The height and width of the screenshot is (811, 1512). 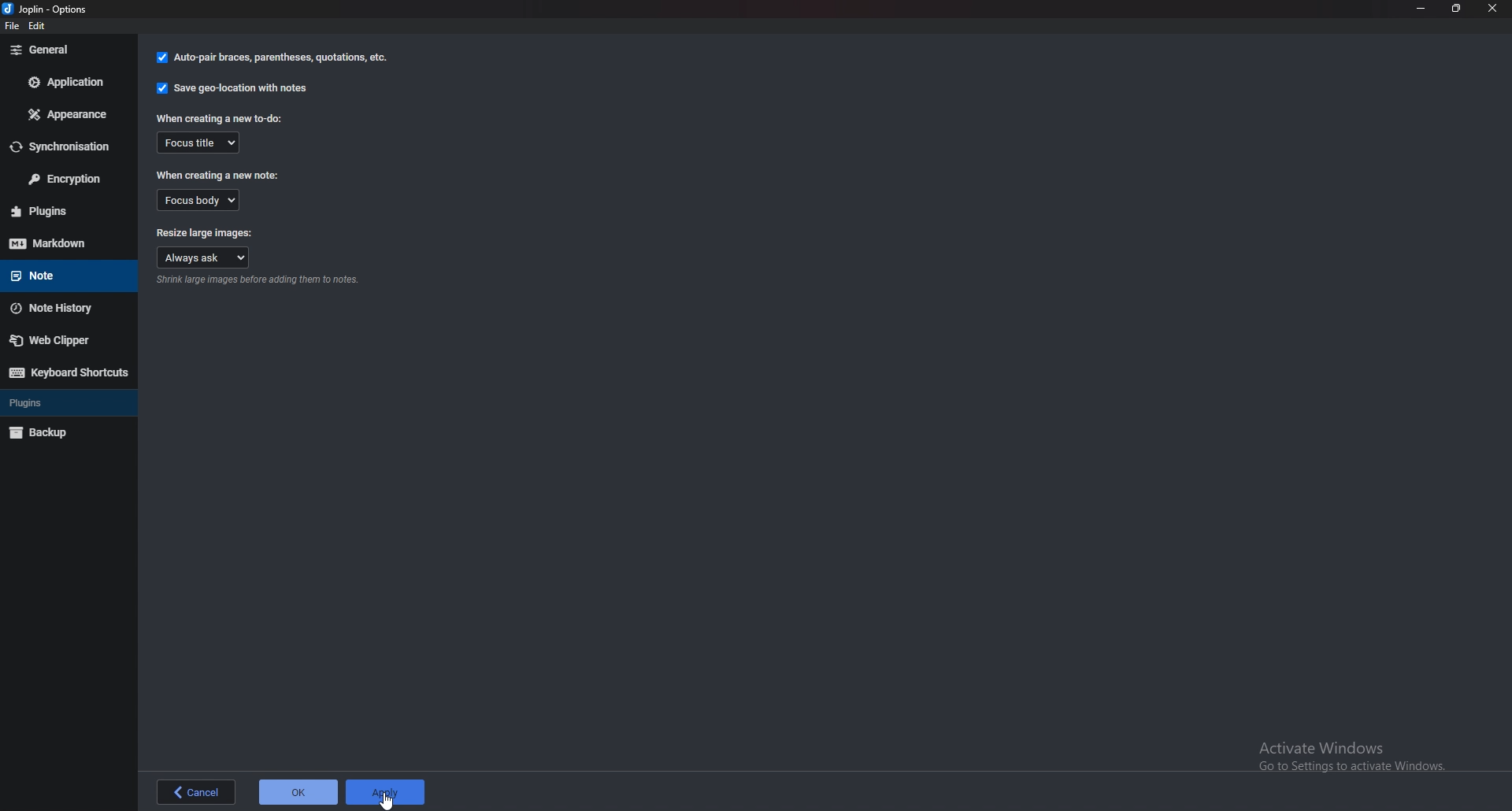 I want to click on Encryption, so click(x=67, y=178).